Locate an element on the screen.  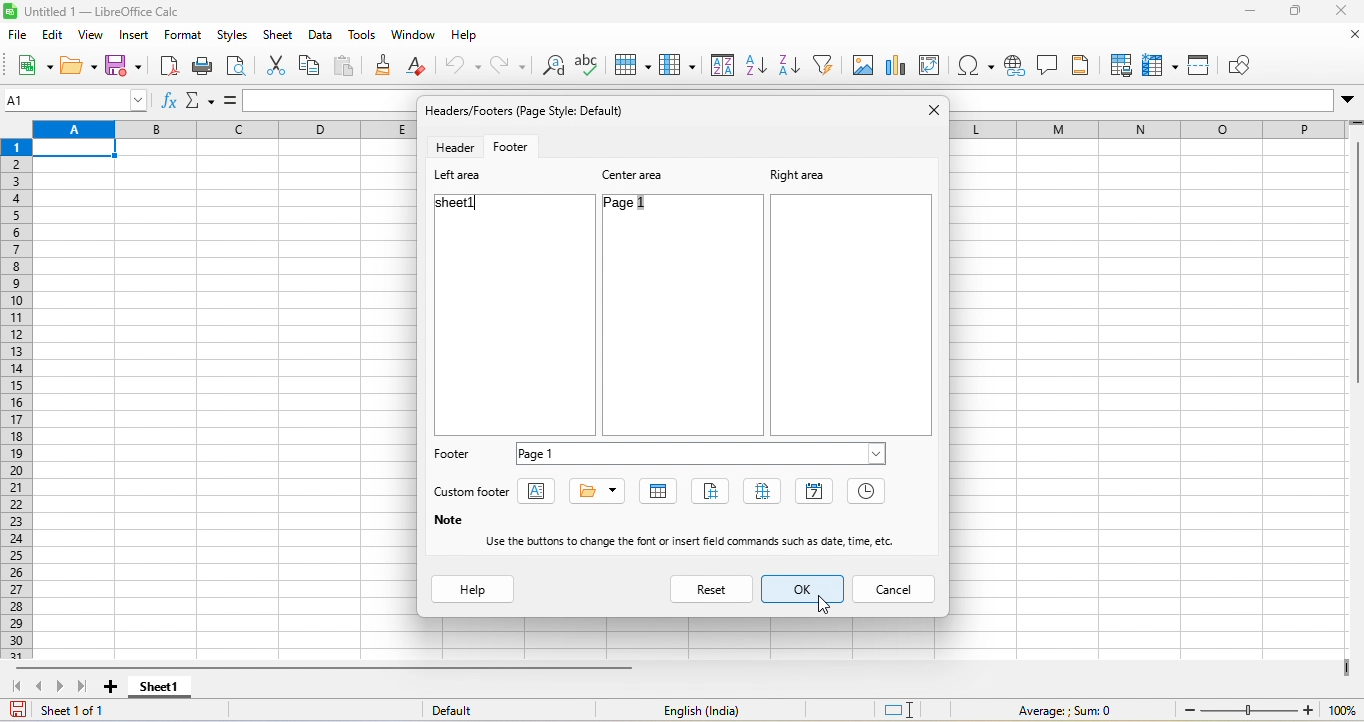
hyperlink is located at coordinates (1012, 68).